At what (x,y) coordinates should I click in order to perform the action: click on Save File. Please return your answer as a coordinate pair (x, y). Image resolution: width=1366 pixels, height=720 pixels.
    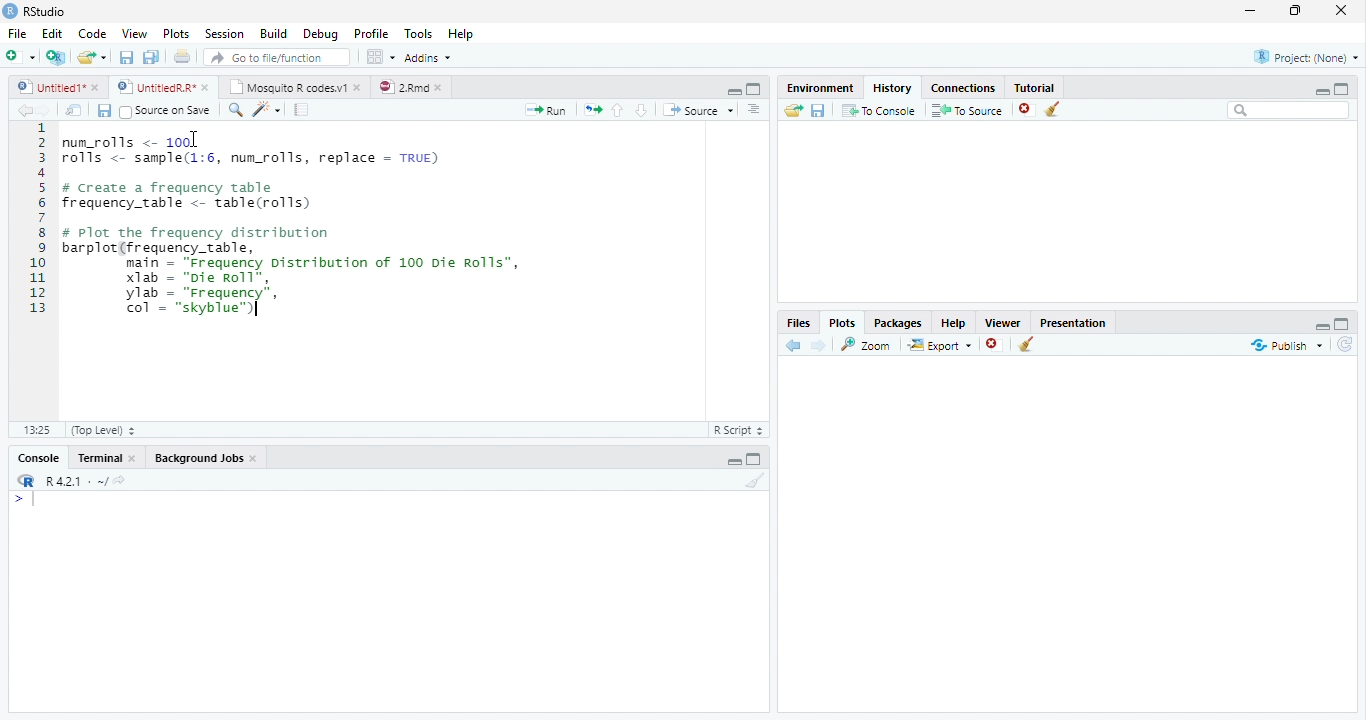
    Looking at the image, I should click on (819, 110).